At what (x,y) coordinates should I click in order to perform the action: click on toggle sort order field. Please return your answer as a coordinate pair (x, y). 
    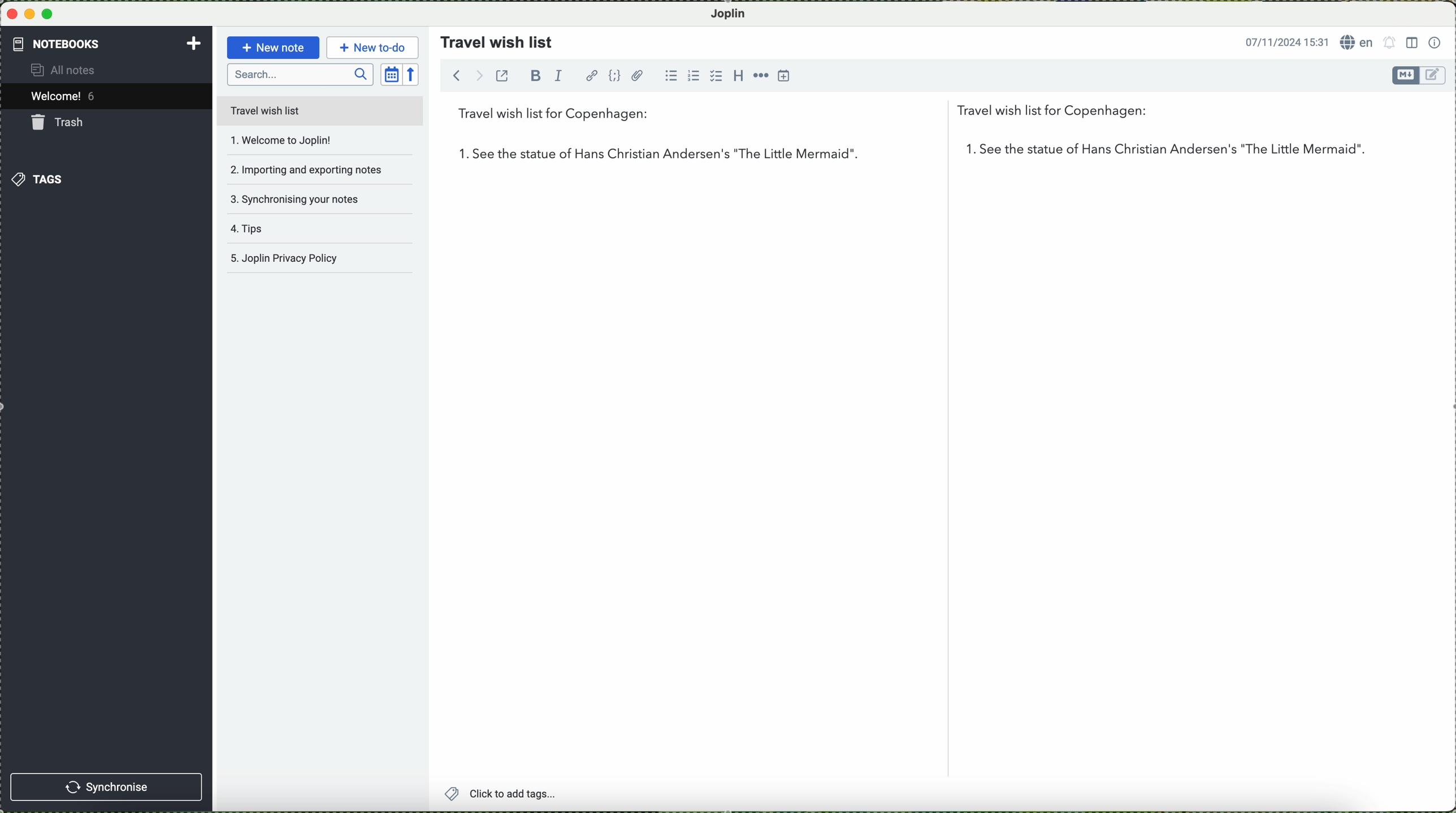
    Looking at the image, I should click on (391, 73).